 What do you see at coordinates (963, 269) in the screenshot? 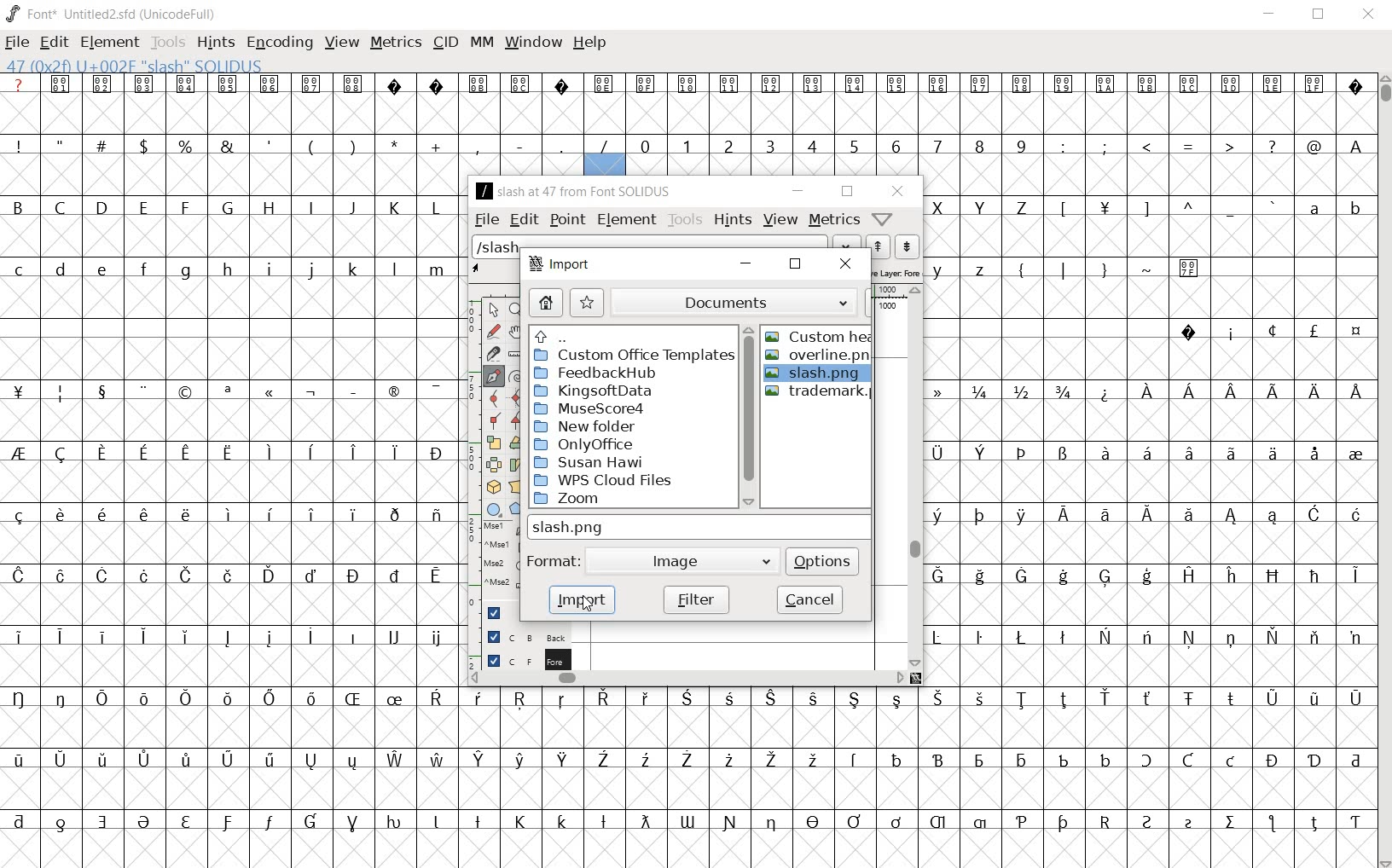
I see `y z` at bounding box center [963, 269].